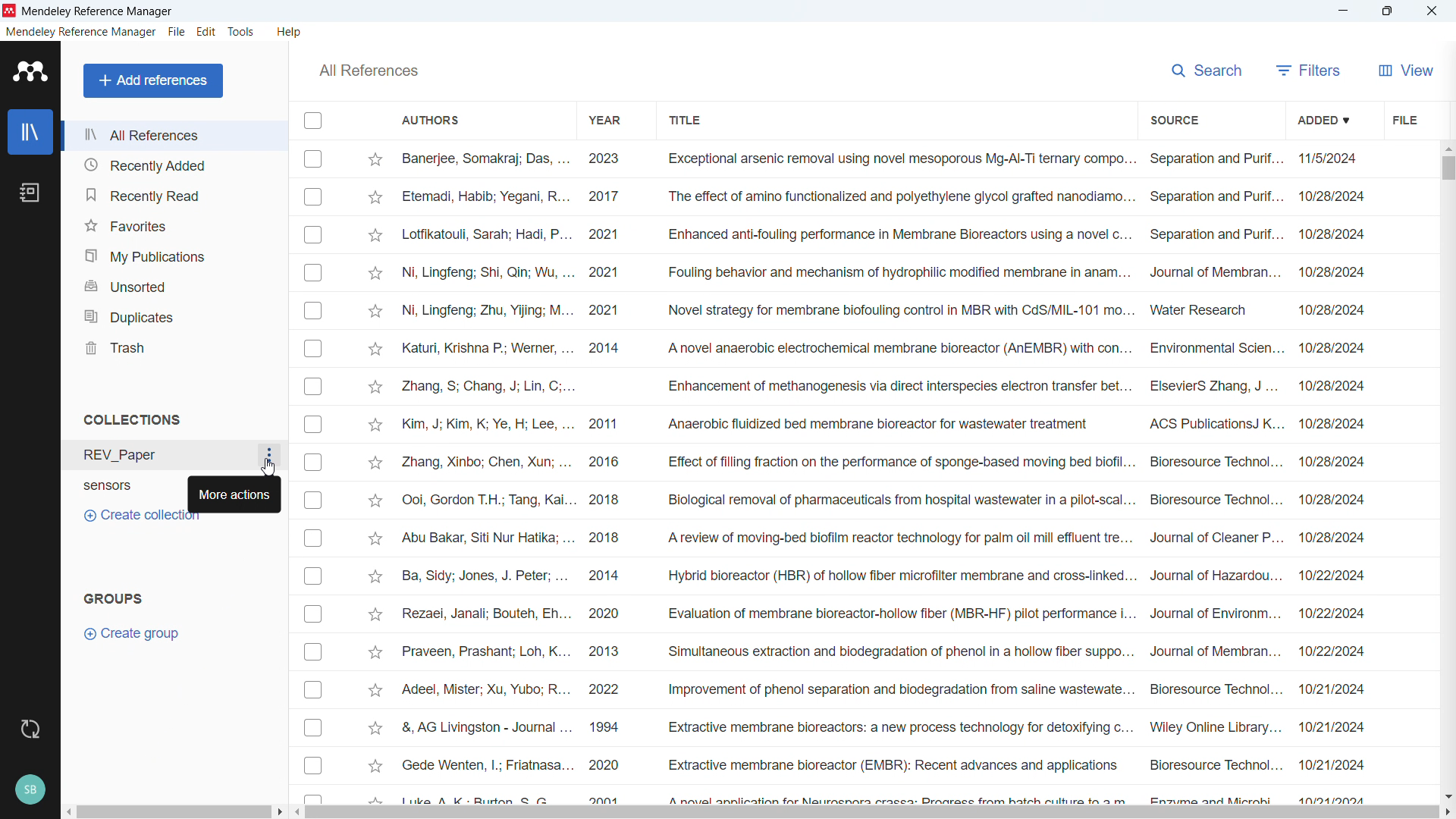 This screenshot has width=1456, height=819. Describe the element at coordinates (375, 236) in the screenshot. I see `Star mark respective publication` at that location.